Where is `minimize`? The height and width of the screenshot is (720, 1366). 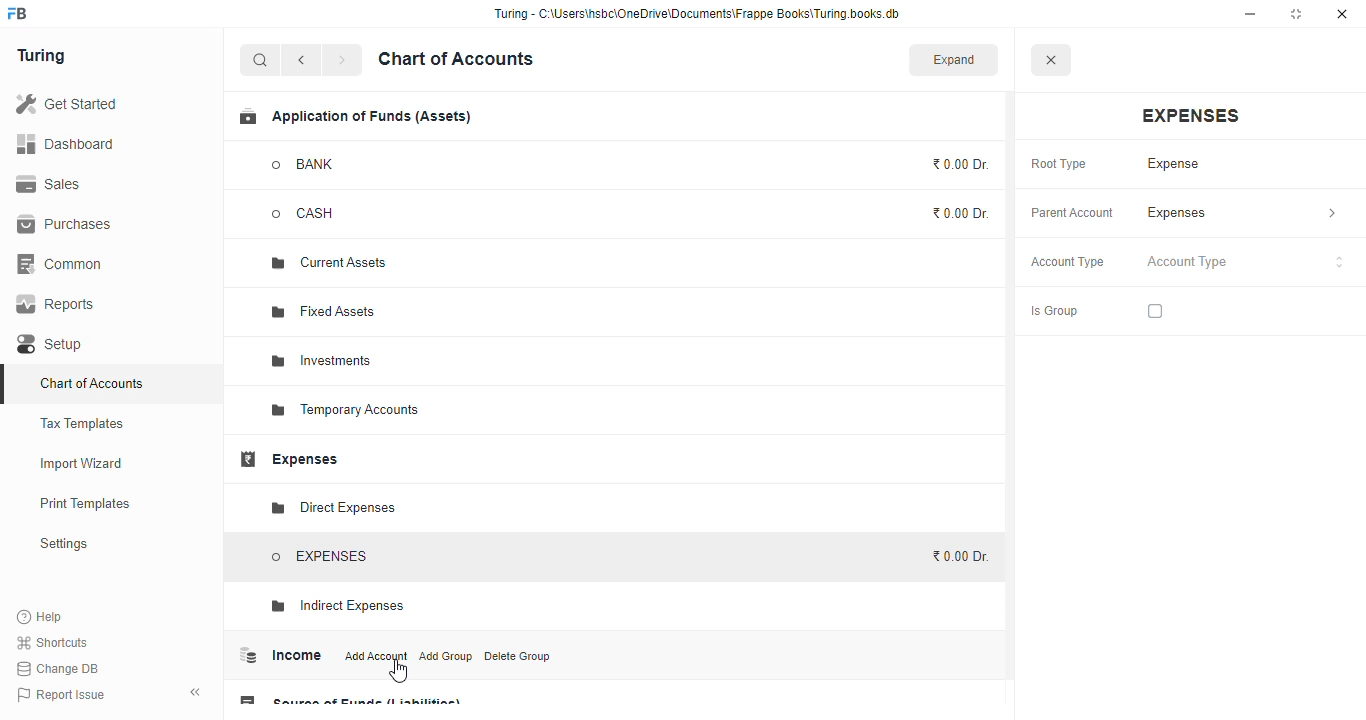 minimize is located at coordinates (1250, 14).